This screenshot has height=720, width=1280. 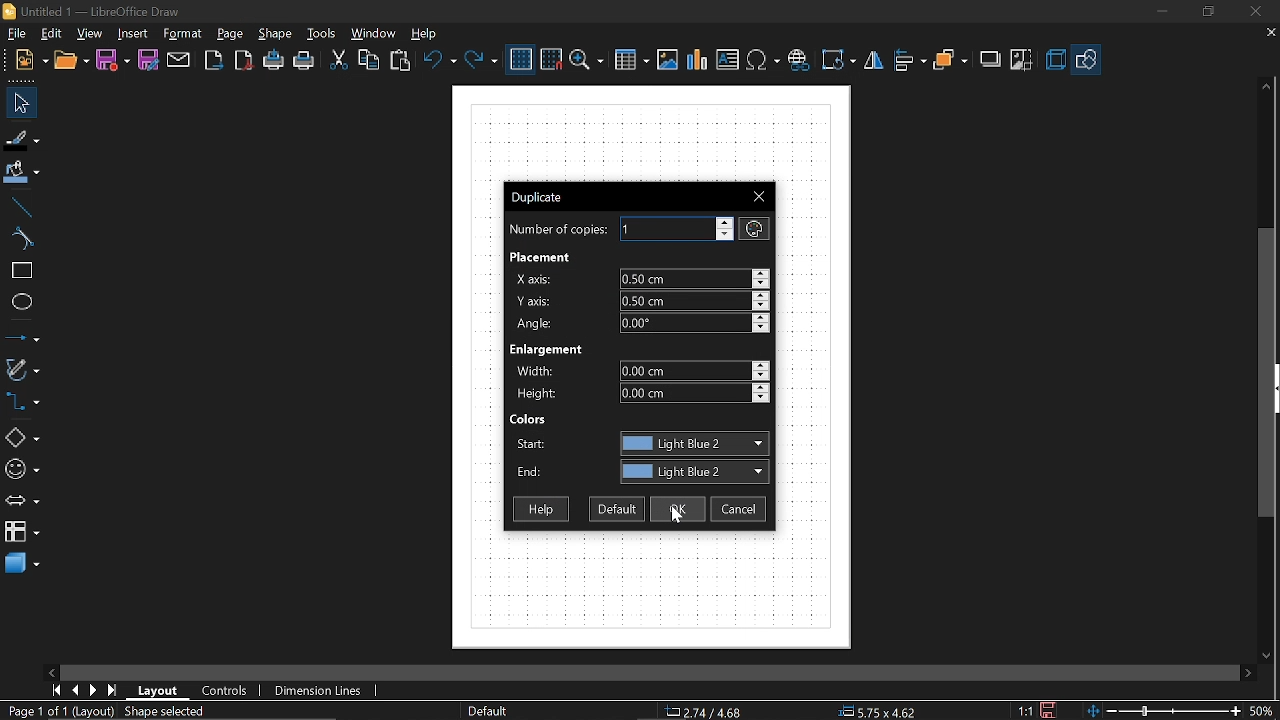 I want to click on Move down, so click(x=1269, y=654).